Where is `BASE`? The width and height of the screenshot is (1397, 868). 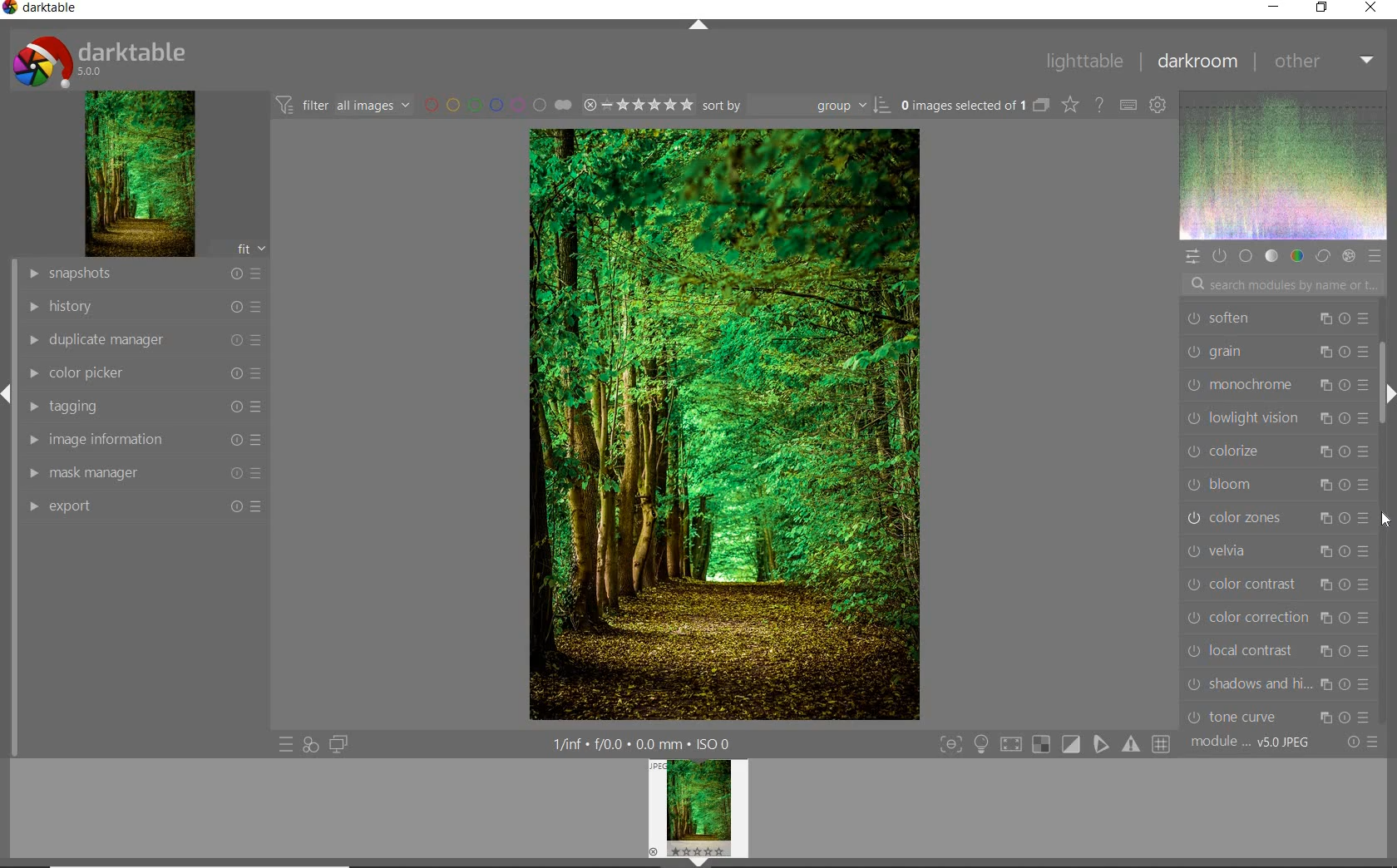
BASE is located at coordinates (1246, 258).